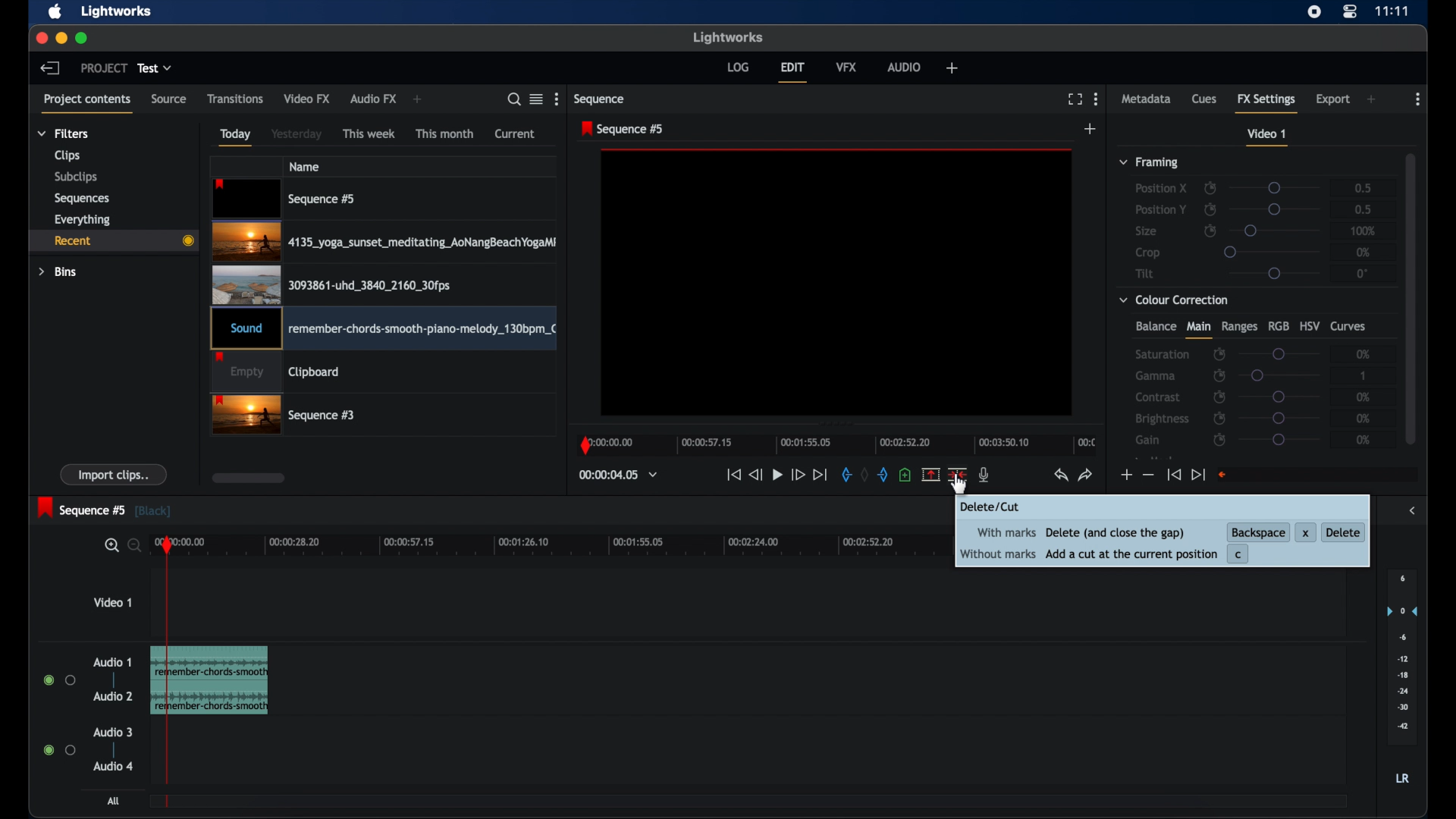 This screenshot has height=819, width=1456. What do you see at coordinates (832, 287) in the screenshot?
I see `video preview` at bounding box center [832, 287].